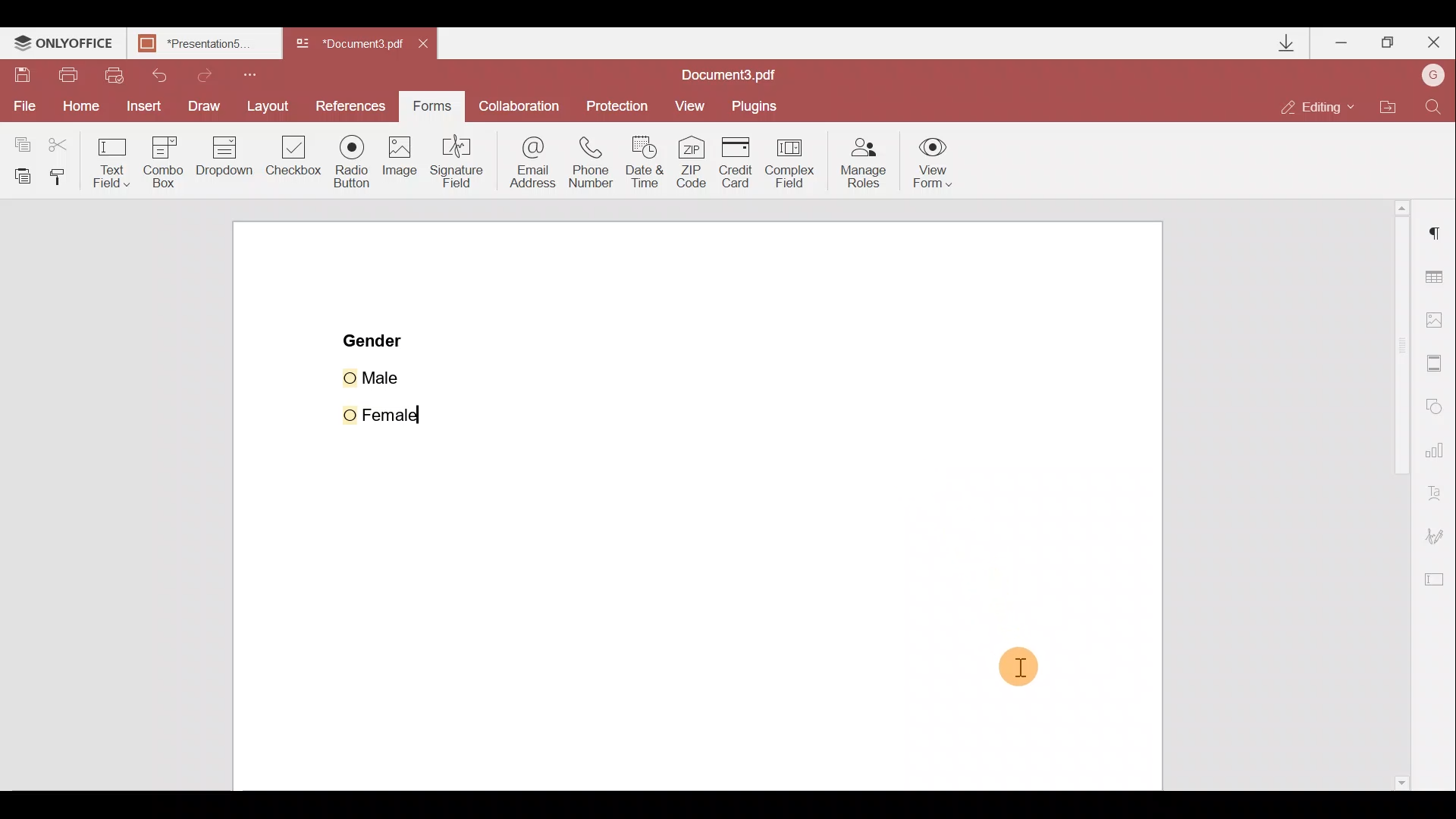  What do you see at coordinates (1439, 495) in the screenshot?
I see `Text Art settings` at bounding box center [1439, 495].